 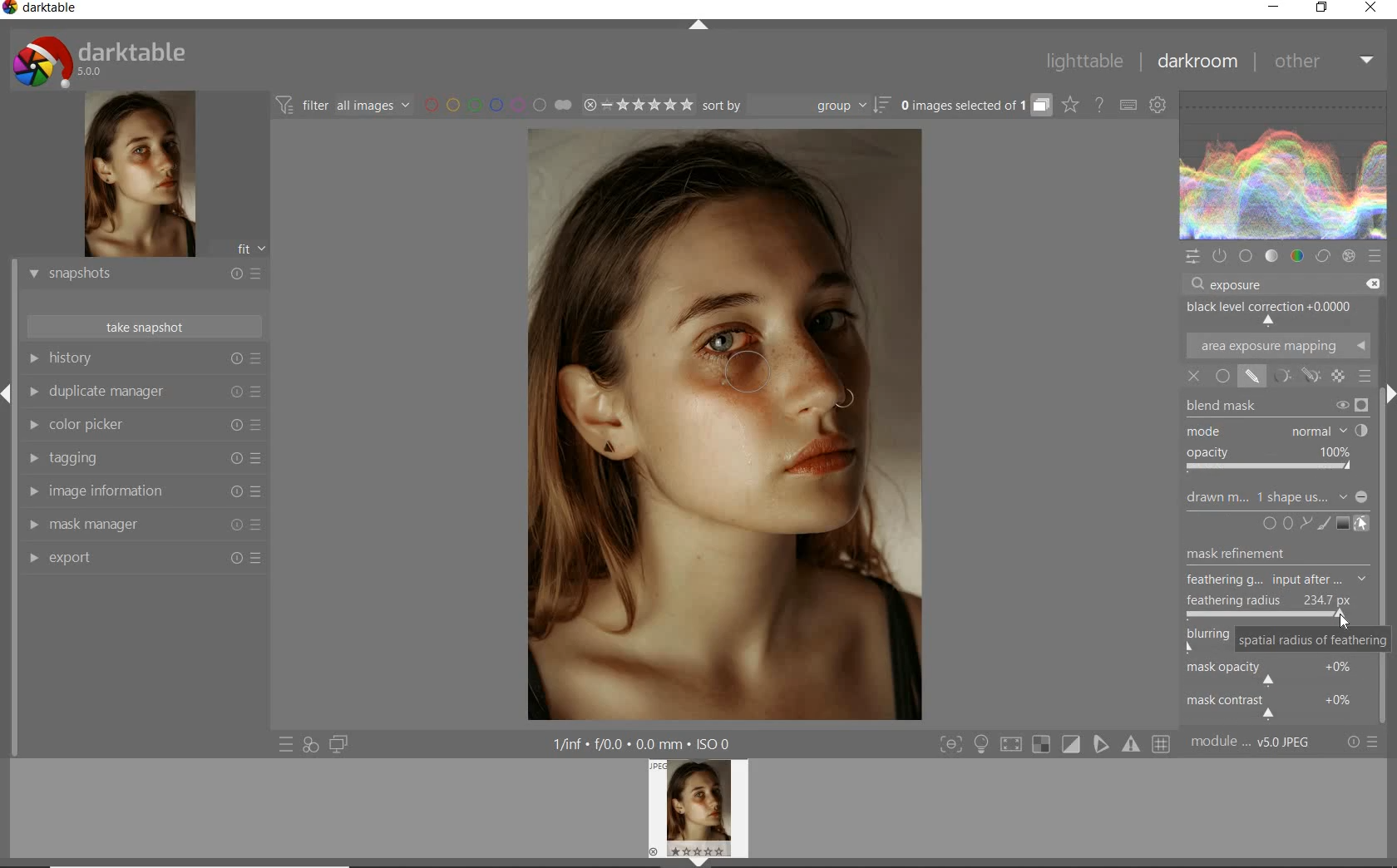 What do you see at coordinates (335, 742) in the screenshot?
I see `display a second darkroom image below` at bounding box center [335, 742].